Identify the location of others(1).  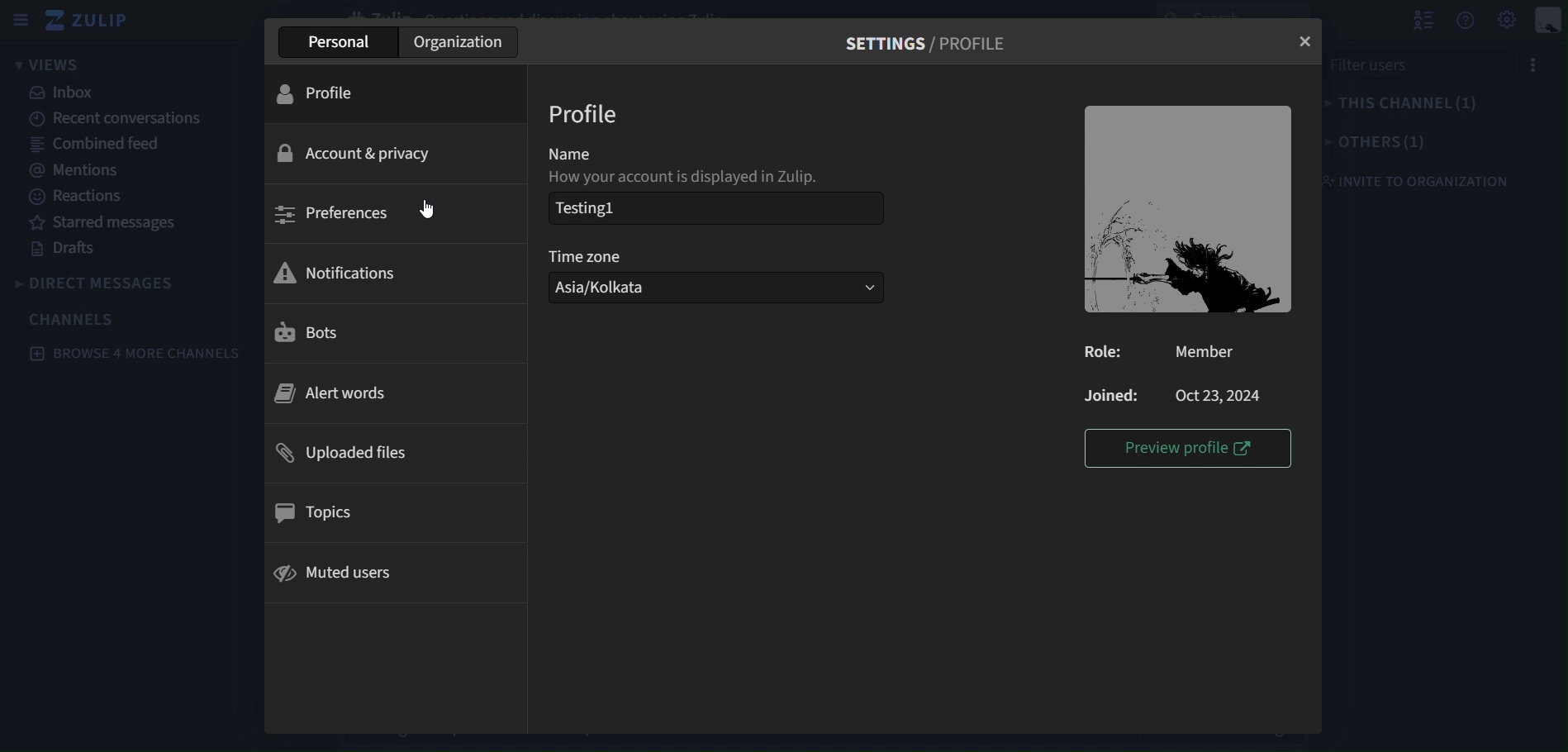
(1379, 143).